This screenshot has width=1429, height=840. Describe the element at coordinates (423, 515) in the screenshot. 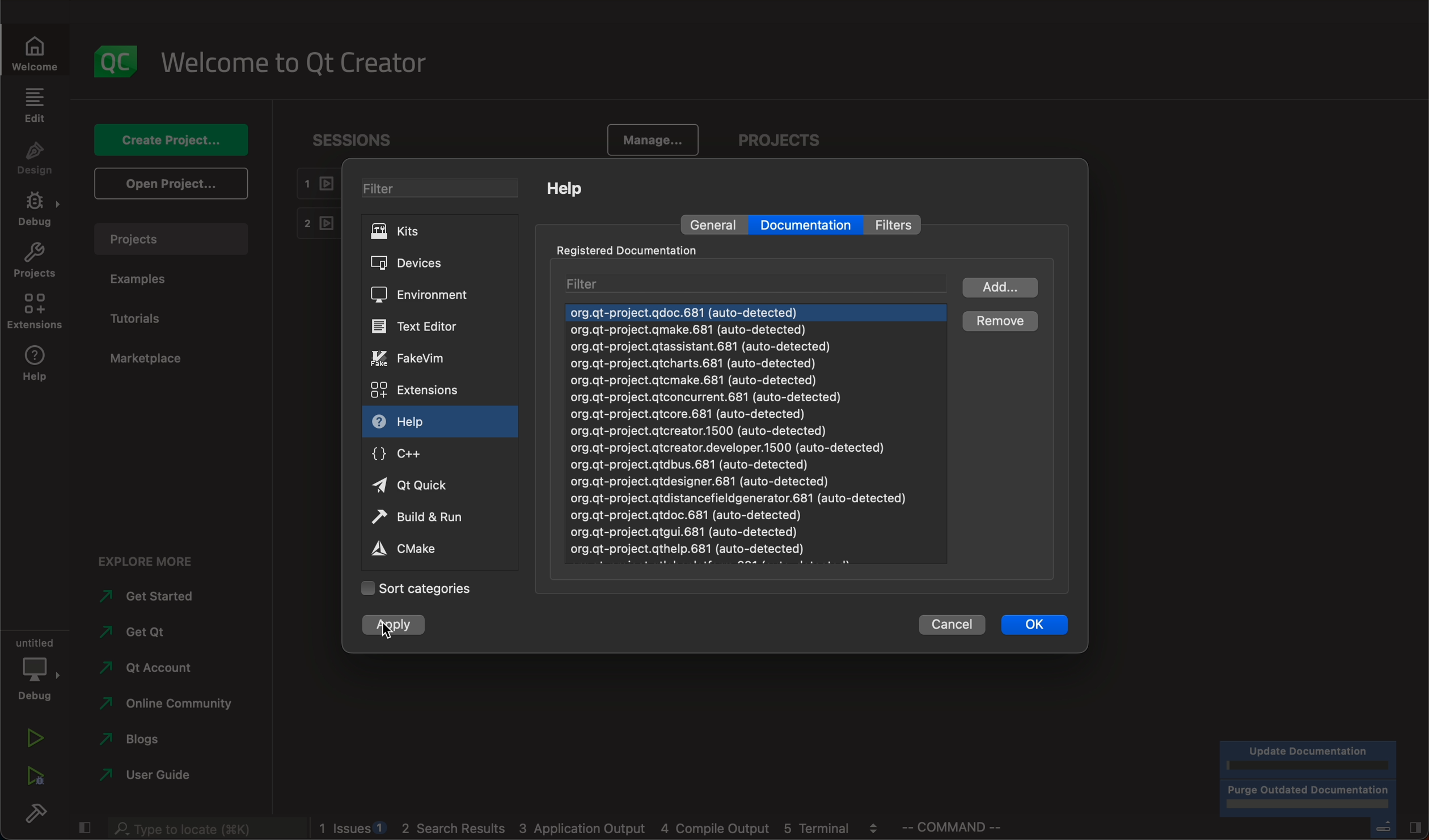

I see `run` at that location.